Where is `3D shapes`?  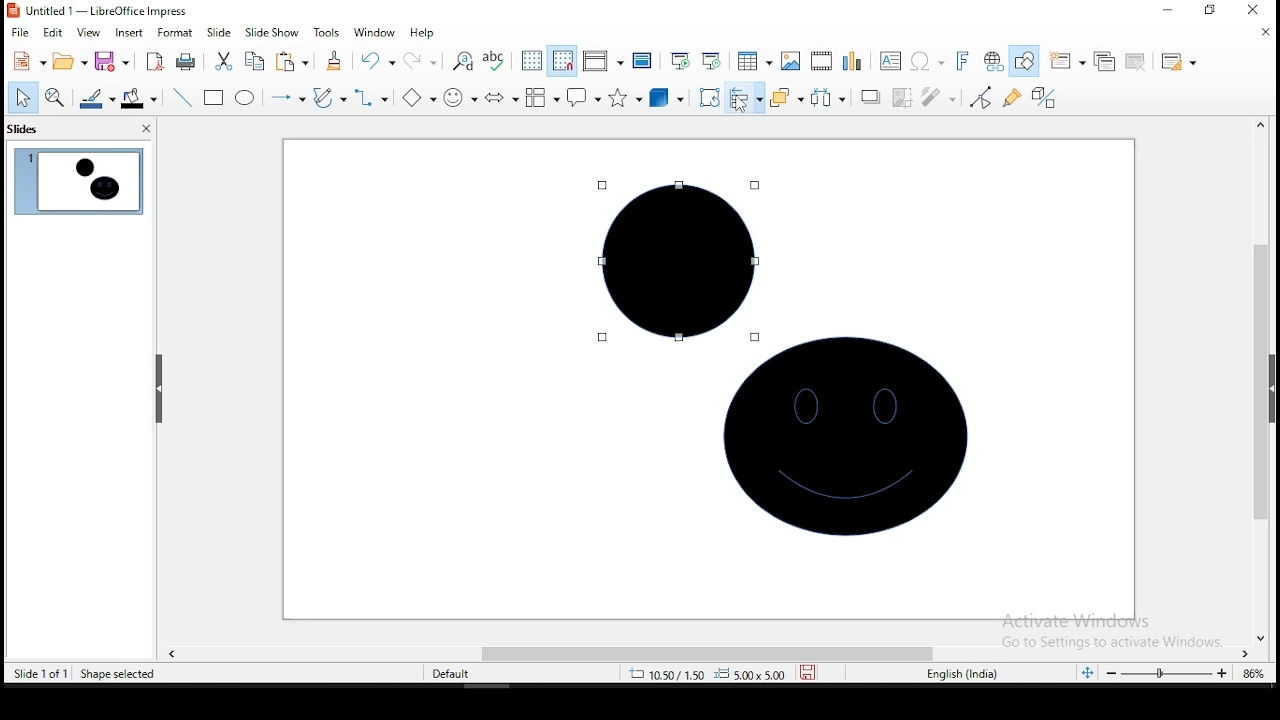 3D shapes is located at coordinates (667, 99).